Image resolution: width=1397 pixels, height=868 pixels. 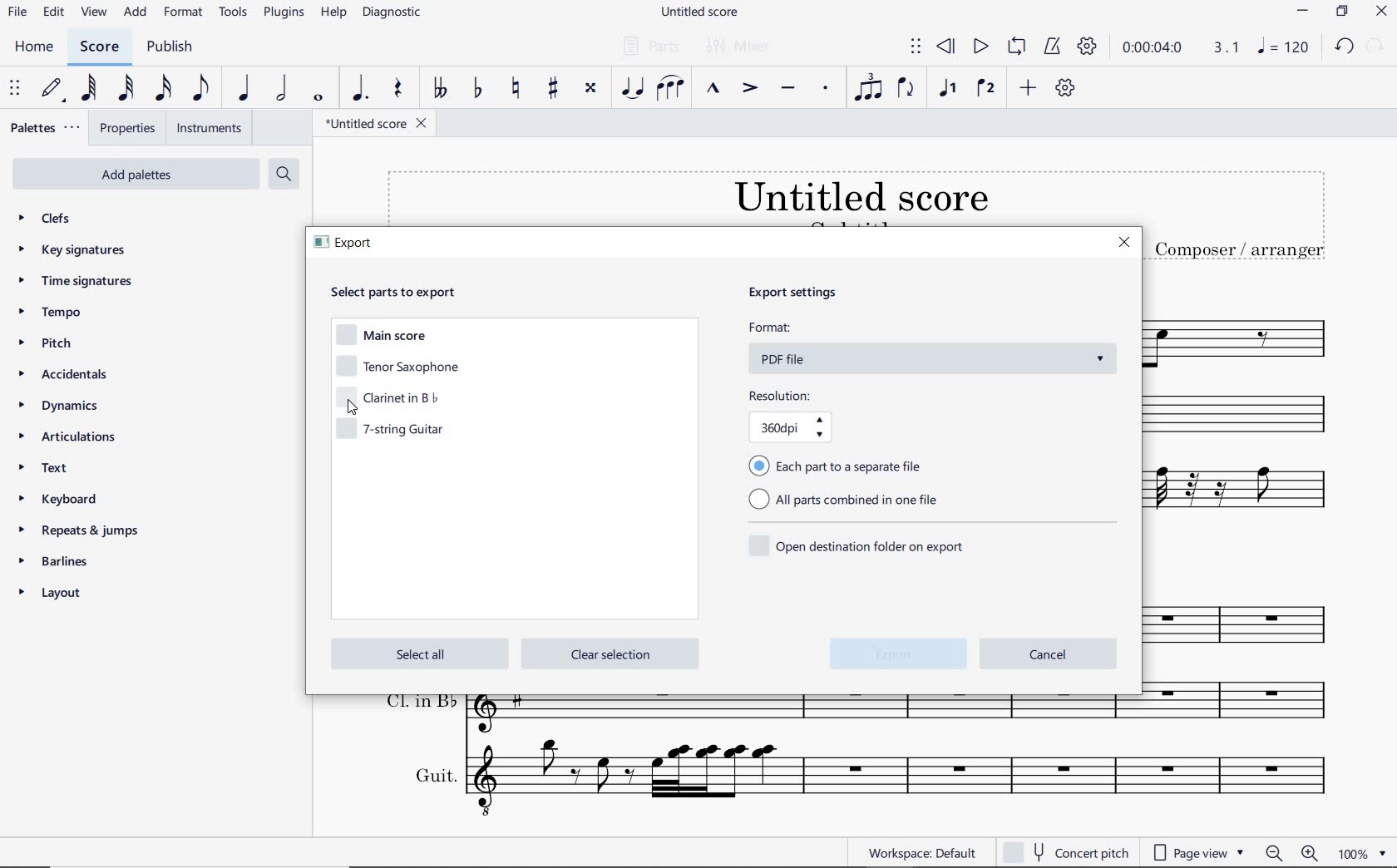 I want to click on TITLE, so click(x=1239, y=216).